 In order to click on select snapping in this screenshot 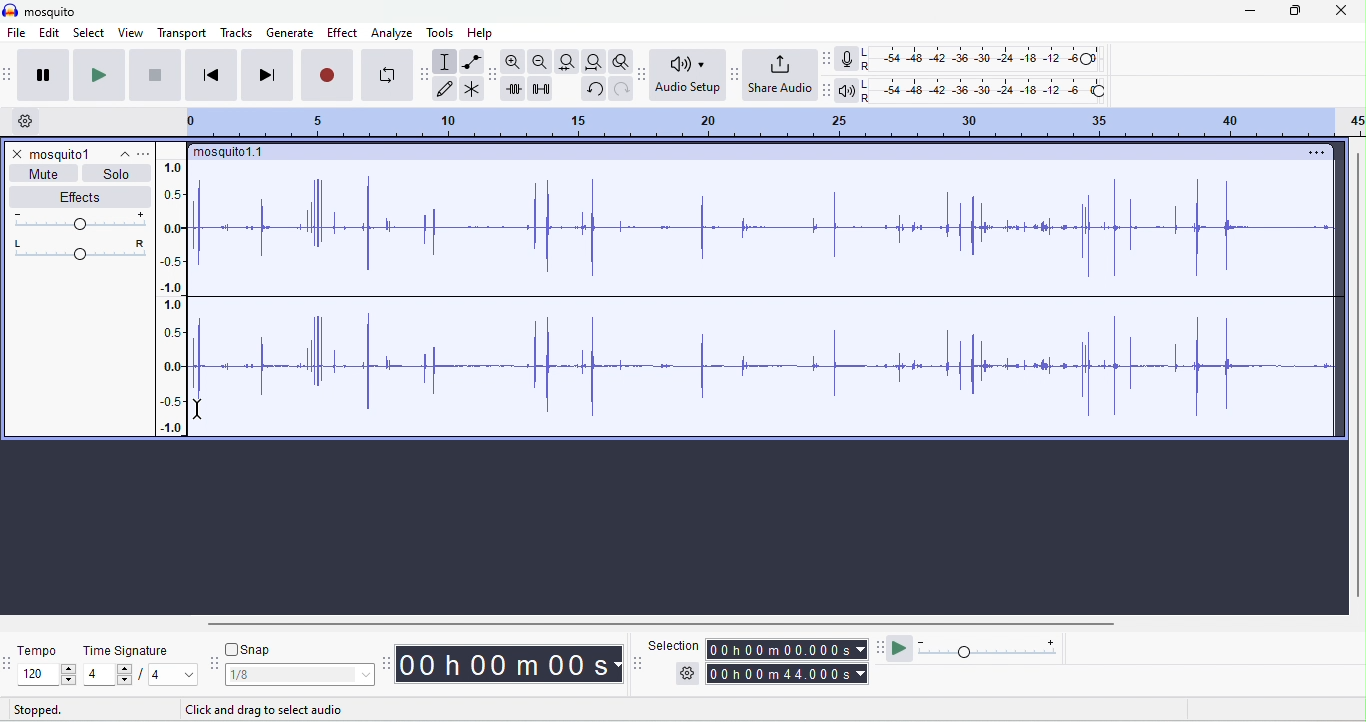, I will do `click(301, 675)`.